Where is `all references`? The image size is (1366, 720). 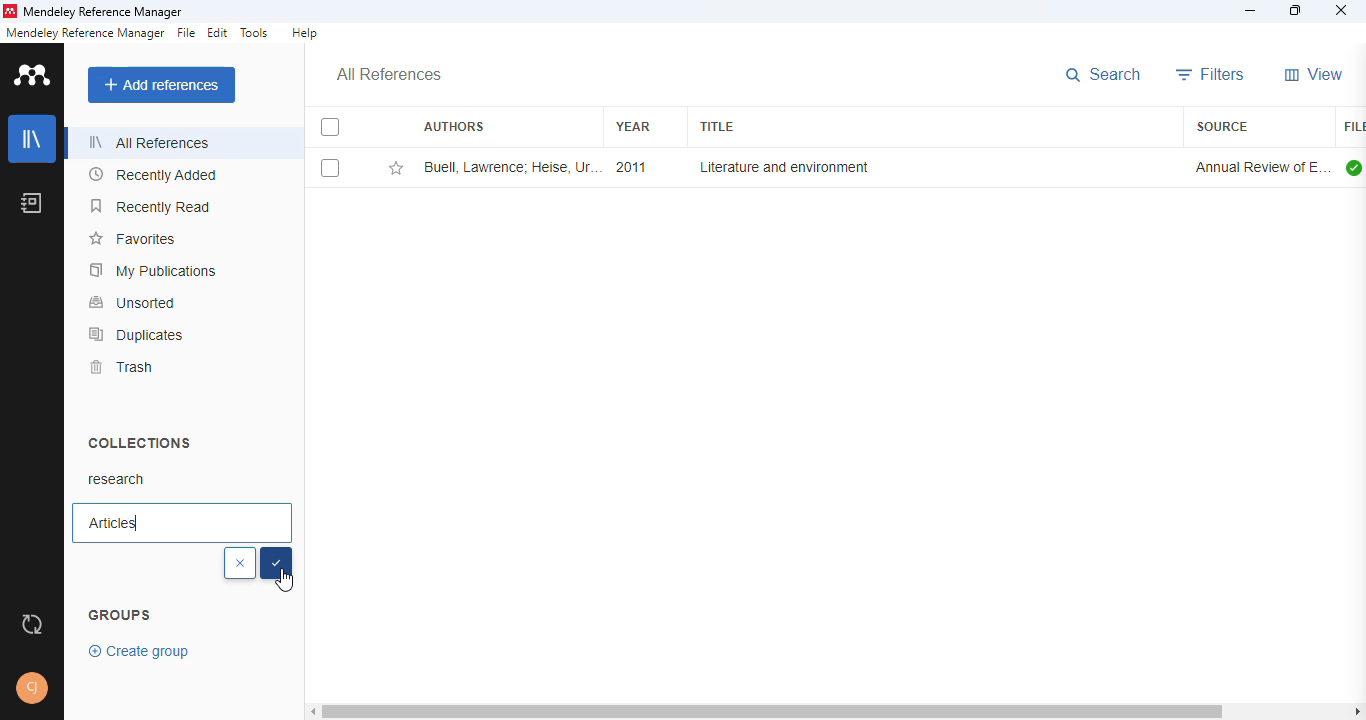 all references is located at coordinates (388, 75).